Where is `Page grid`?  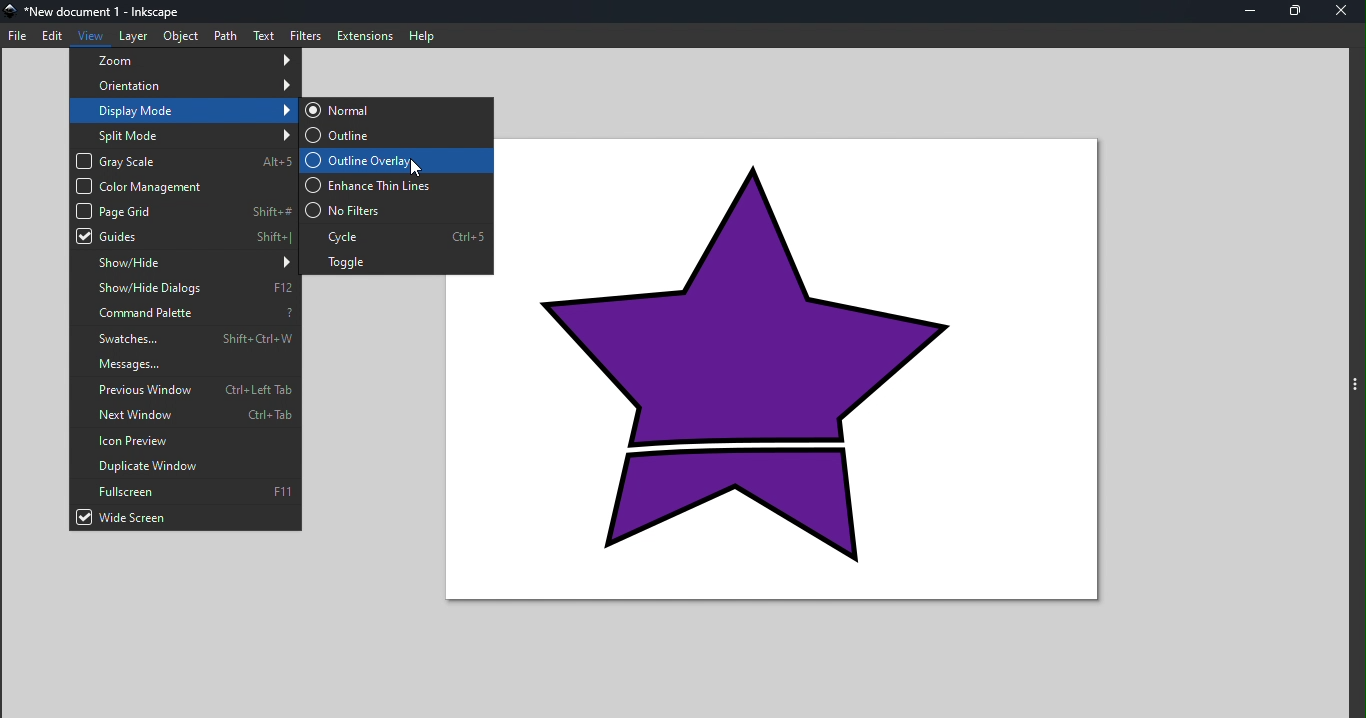
Page grid is located at coordinates (187, 212).